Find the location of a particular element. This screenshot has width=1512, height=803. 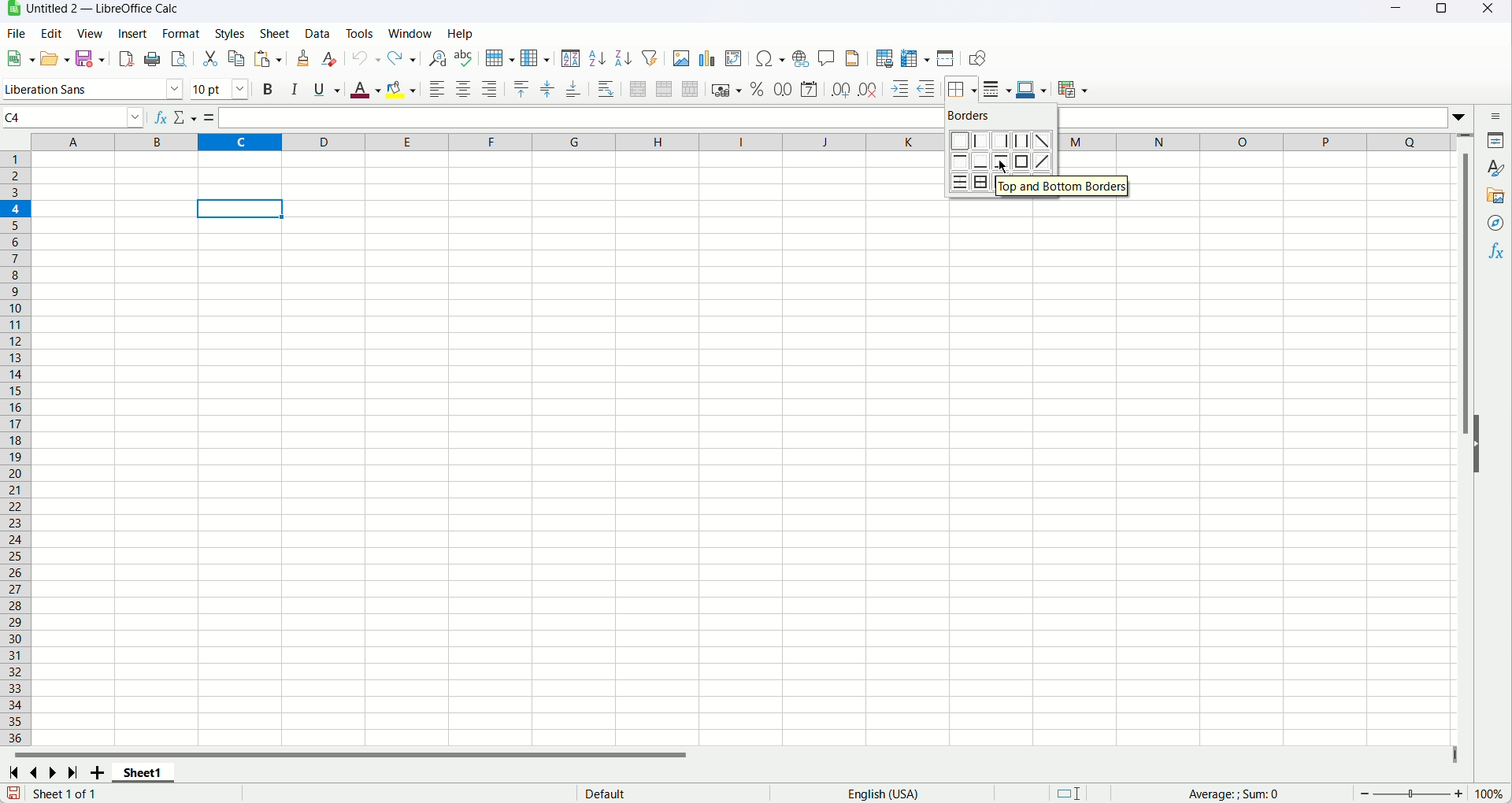

Paste is located at coordinates (268, 59).